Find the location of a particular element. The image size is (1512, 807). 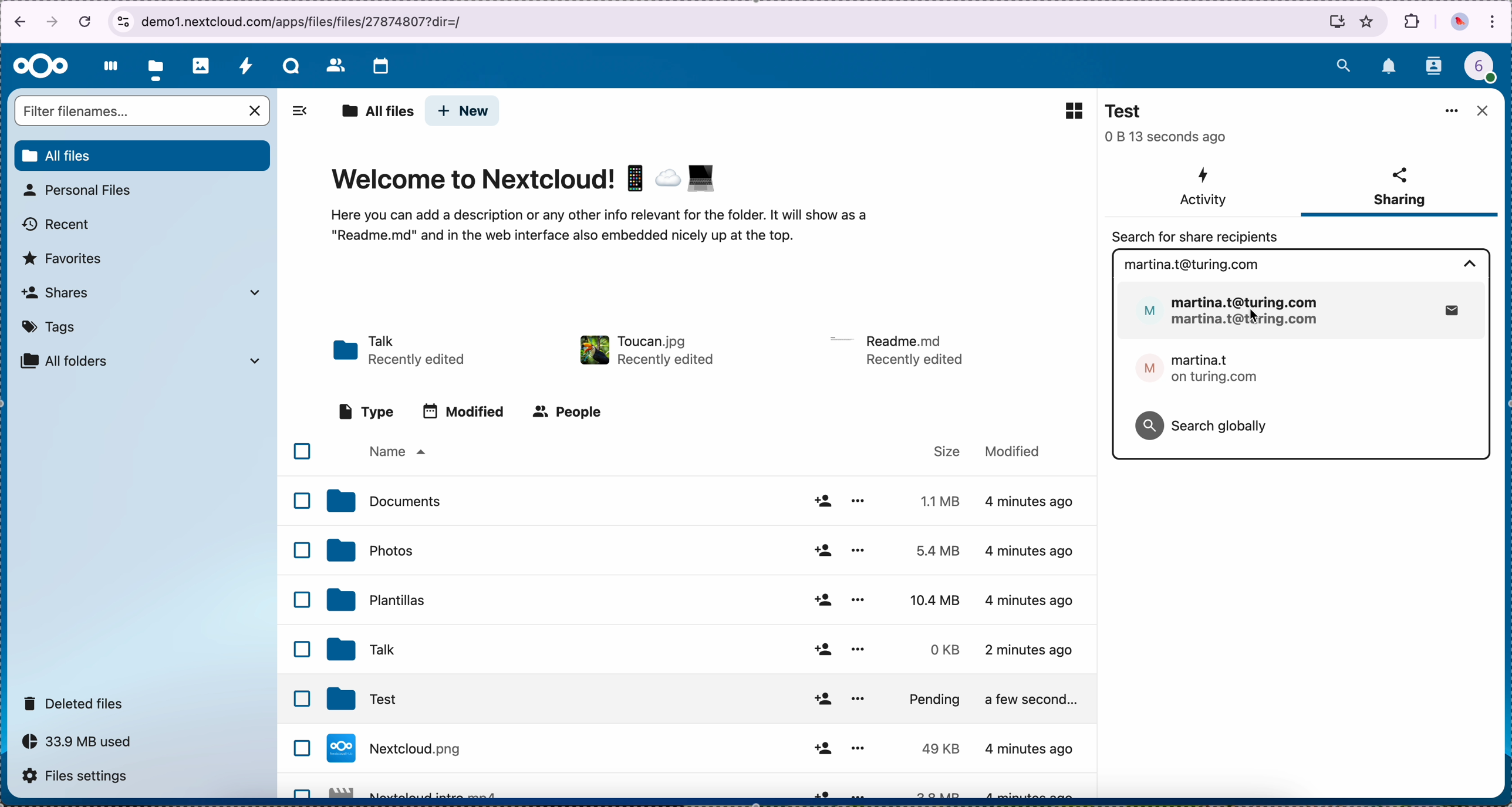

file is located at coordinates (710, 748).